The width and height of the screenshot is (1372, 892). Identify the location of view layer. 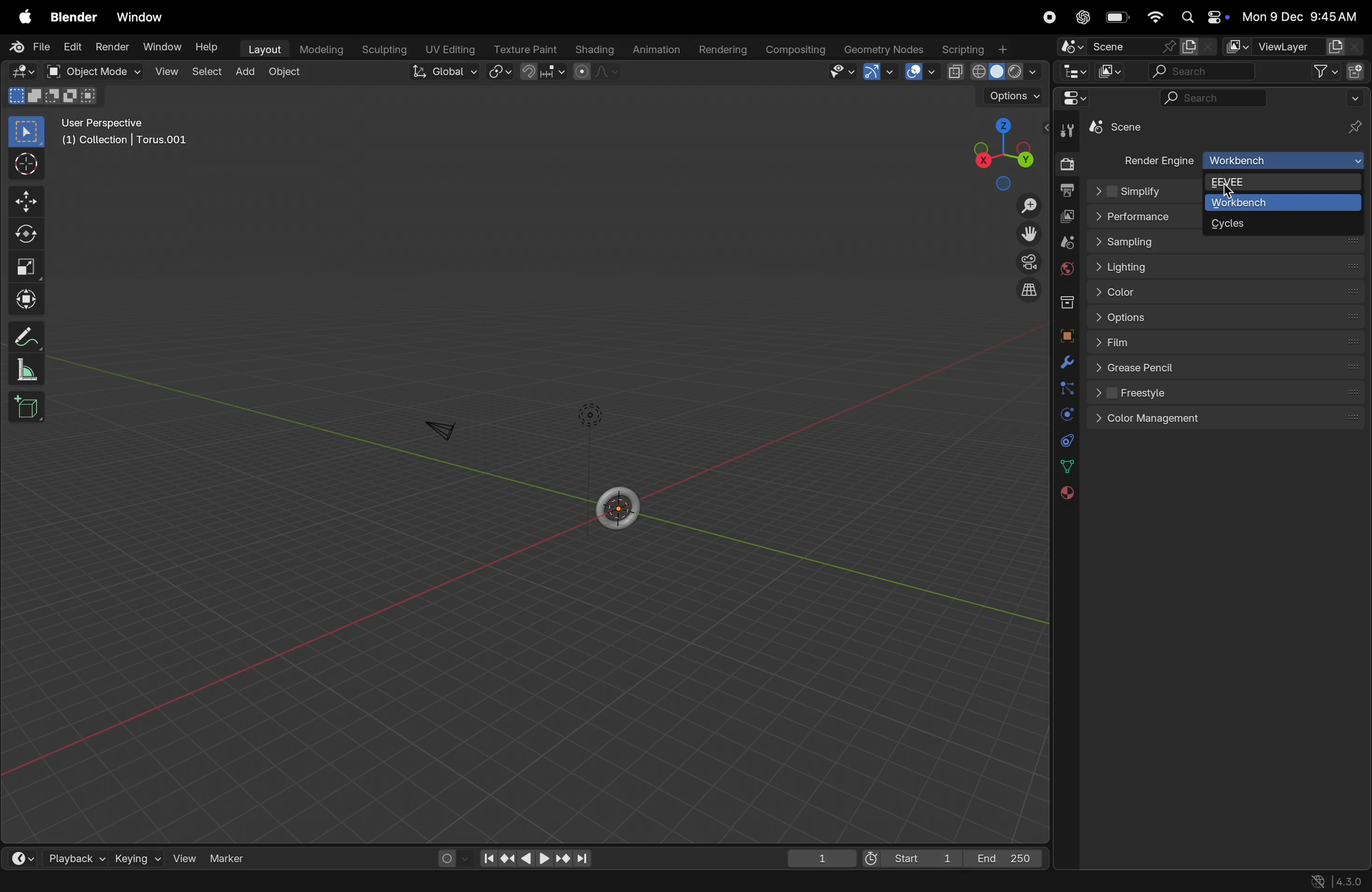
(1294, 46).